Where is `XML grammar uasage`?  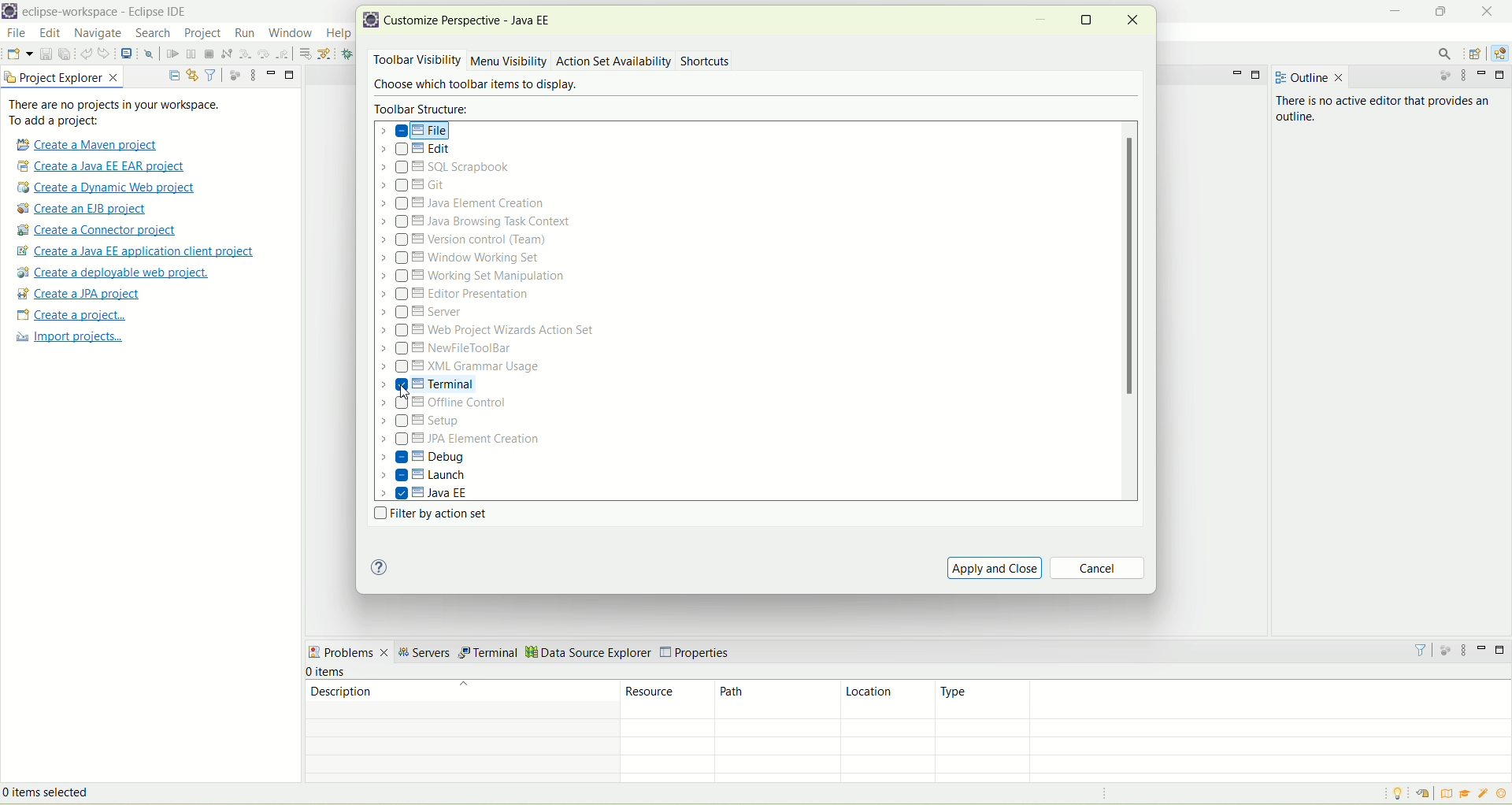
XML grammar uasage is located at coordinates (462, 368).